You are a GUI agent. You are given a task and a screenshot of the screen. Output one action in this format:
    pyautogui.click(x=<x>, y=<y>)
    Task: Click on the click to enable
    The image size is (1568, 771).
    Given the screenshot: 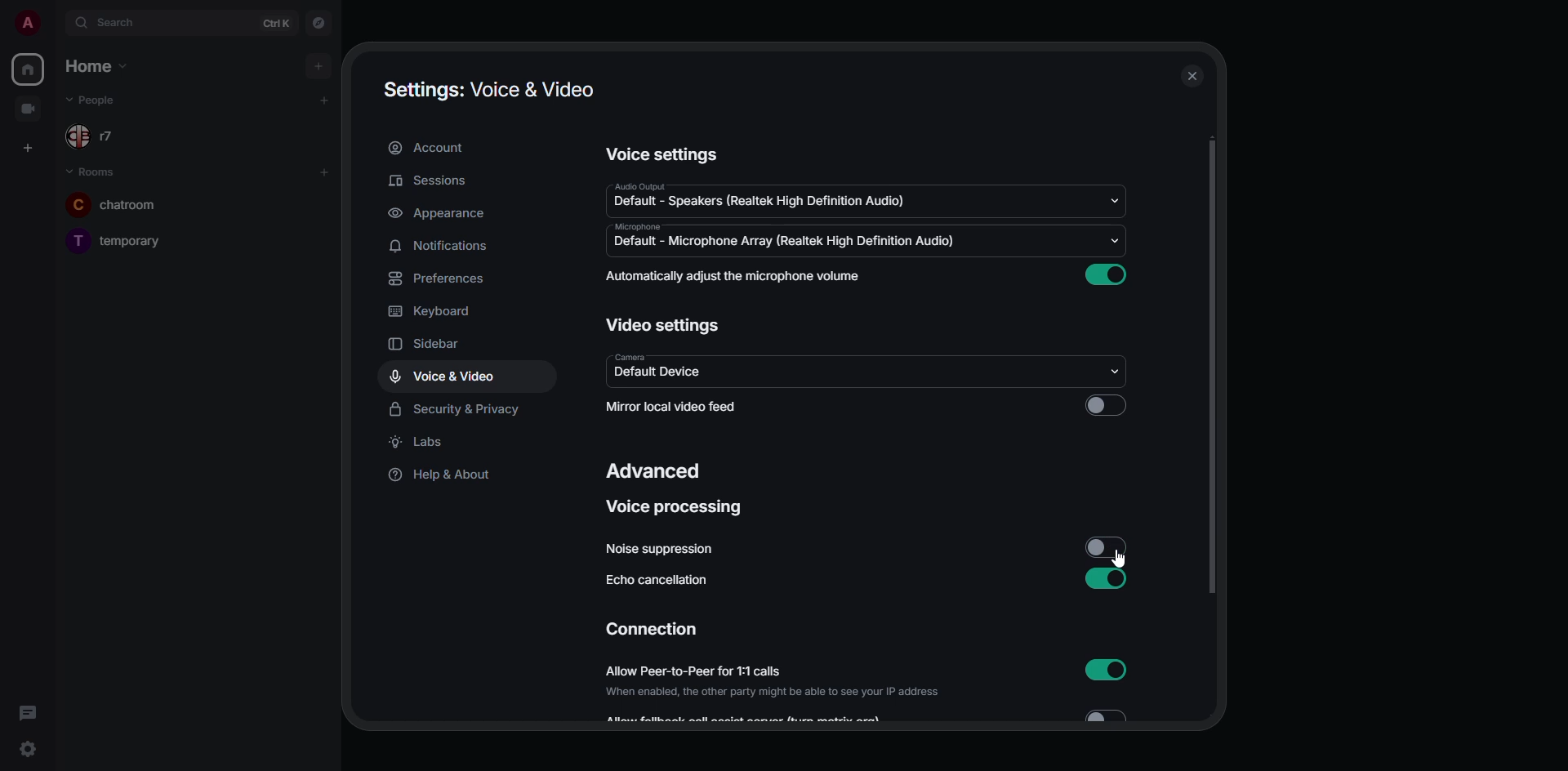 What is the action you would take?
    pyautogui.click(x=1107, y=407)
    